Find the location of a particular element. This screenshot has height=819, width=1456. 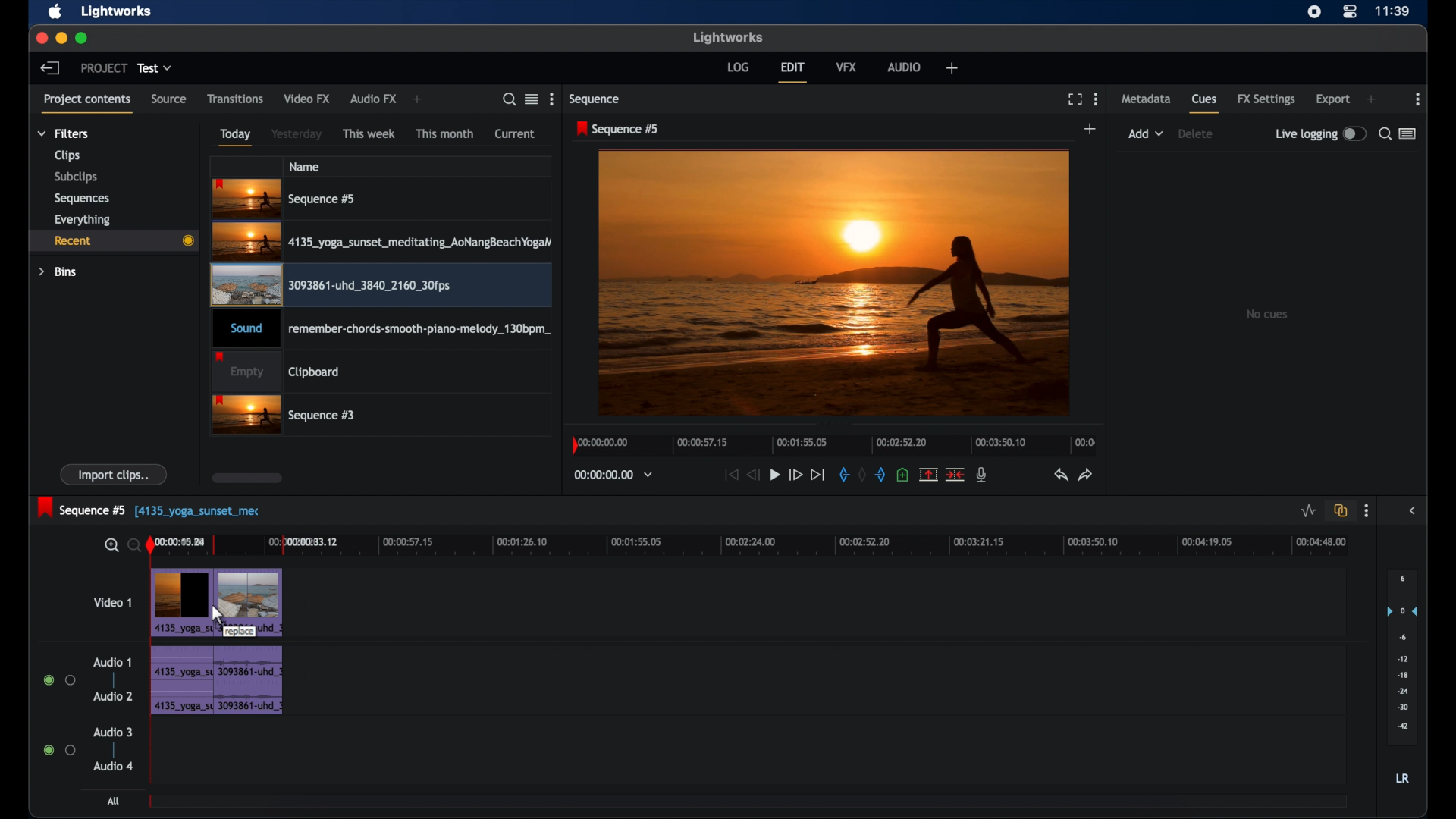

timeline scale is located at coordinates (758, 546).